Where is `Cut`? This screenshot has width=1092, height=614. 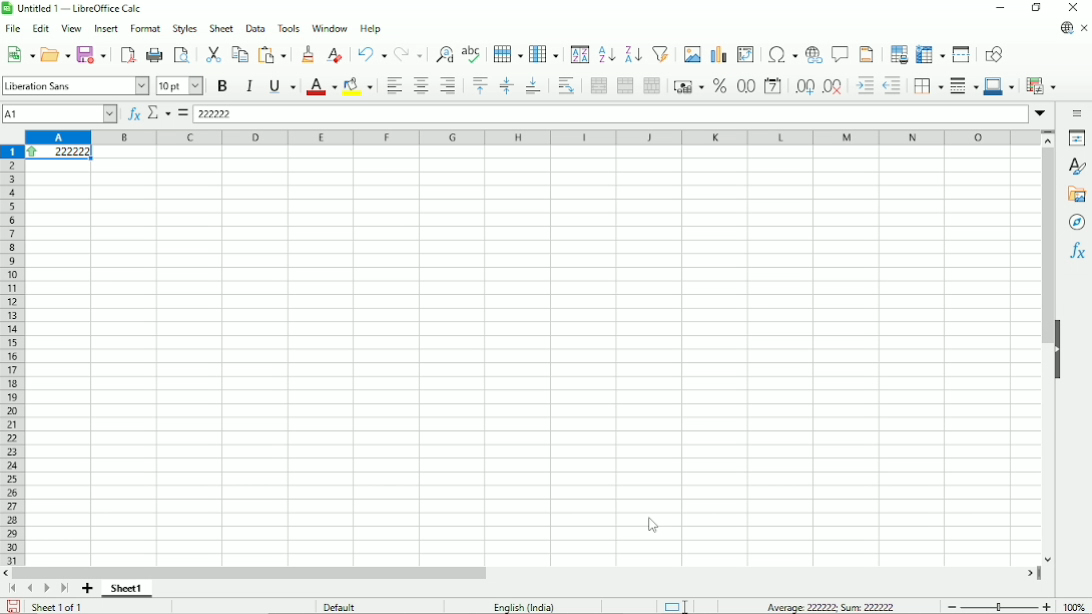
Cut is located at coordinates (212, 53).